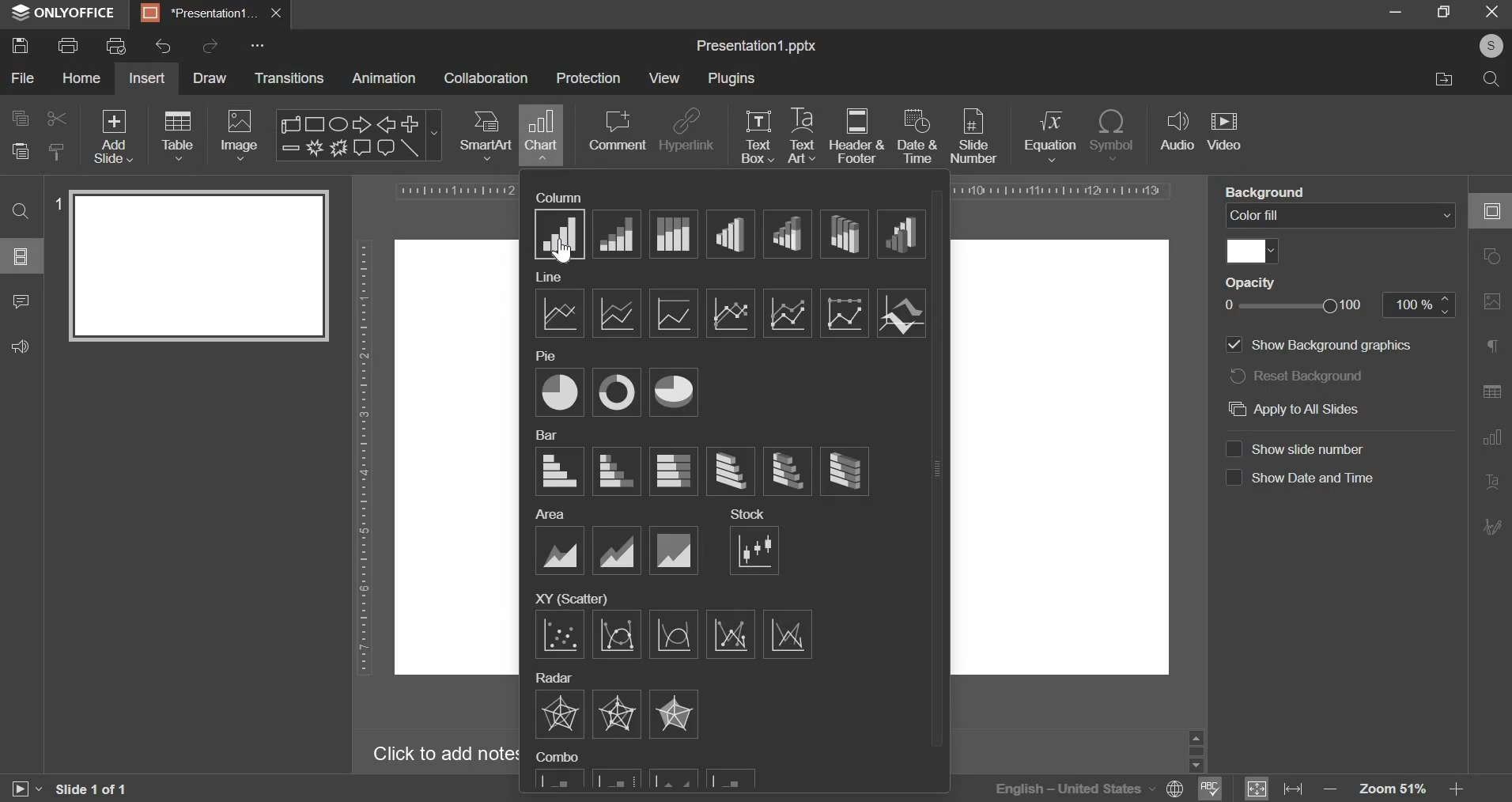 This screenshot has width=1512, height=802. Describe the element at coordinates (1270, 191) in the screenshot. I see `background` at that location.